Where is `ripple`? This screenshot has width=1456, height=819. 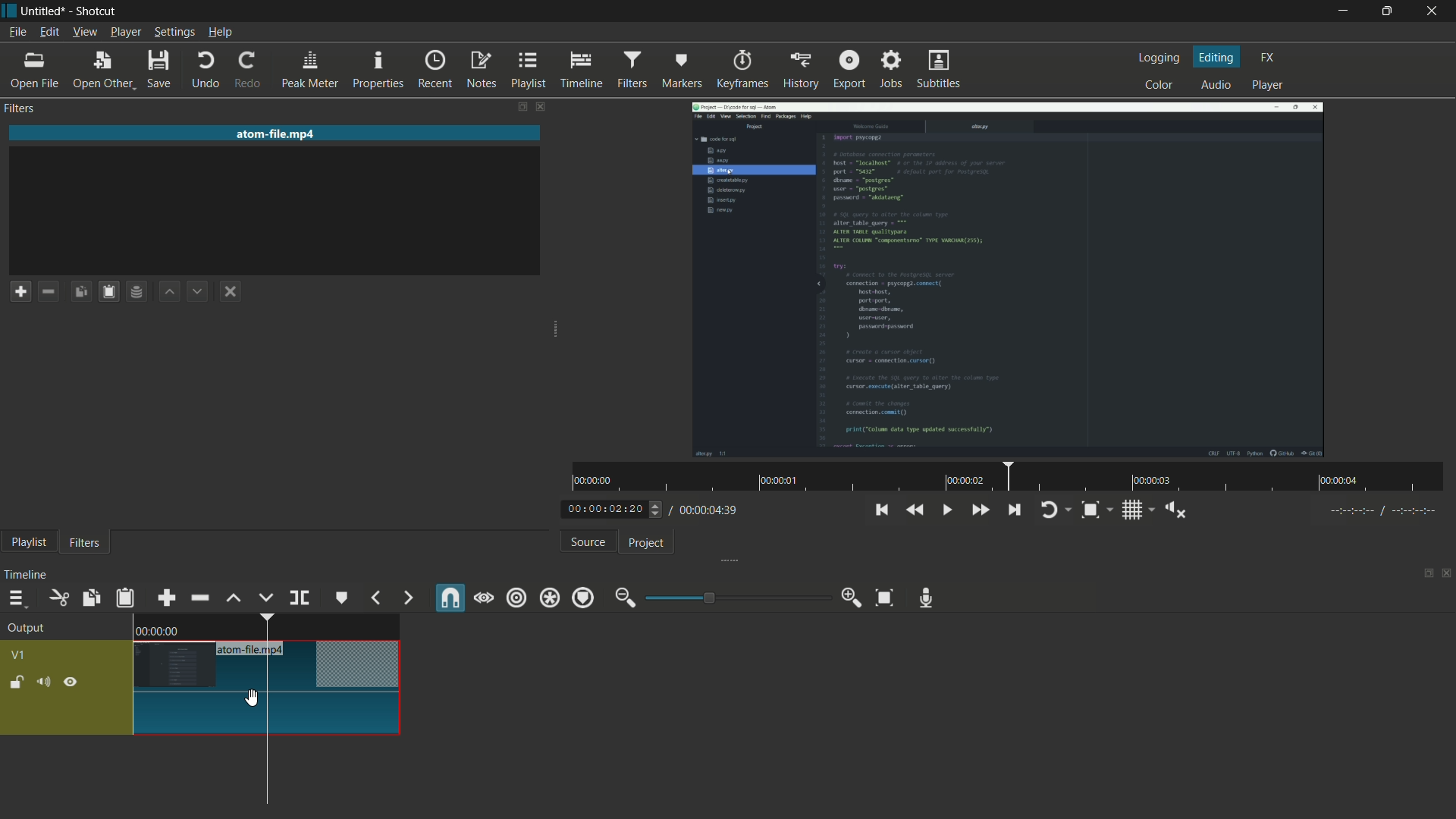
ripple is located at coordinates (516, 598).